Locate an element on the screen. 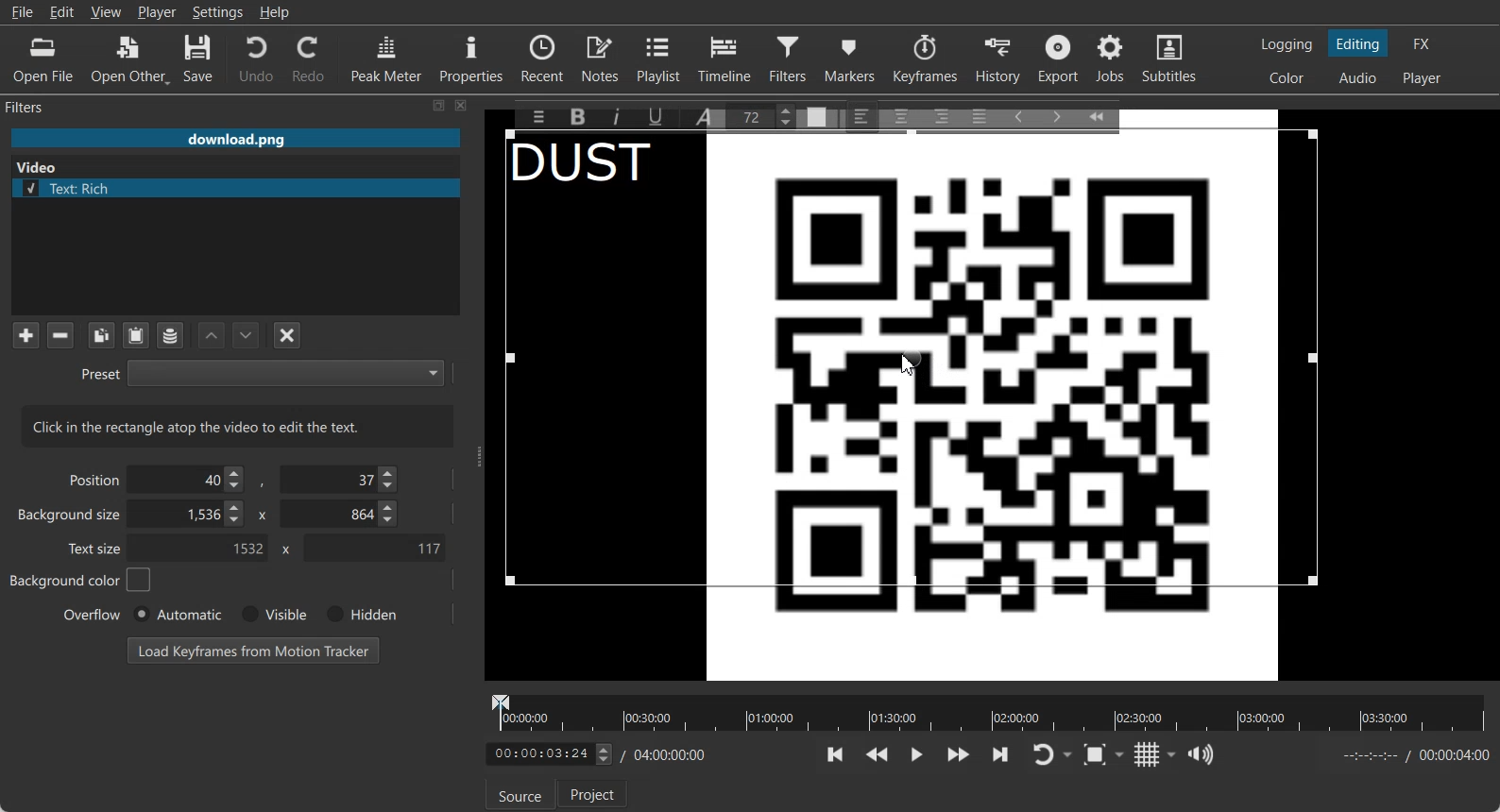 The width and height of the screenshot is (1500, 812). Peak Meter is located at coordinates (387, 58).